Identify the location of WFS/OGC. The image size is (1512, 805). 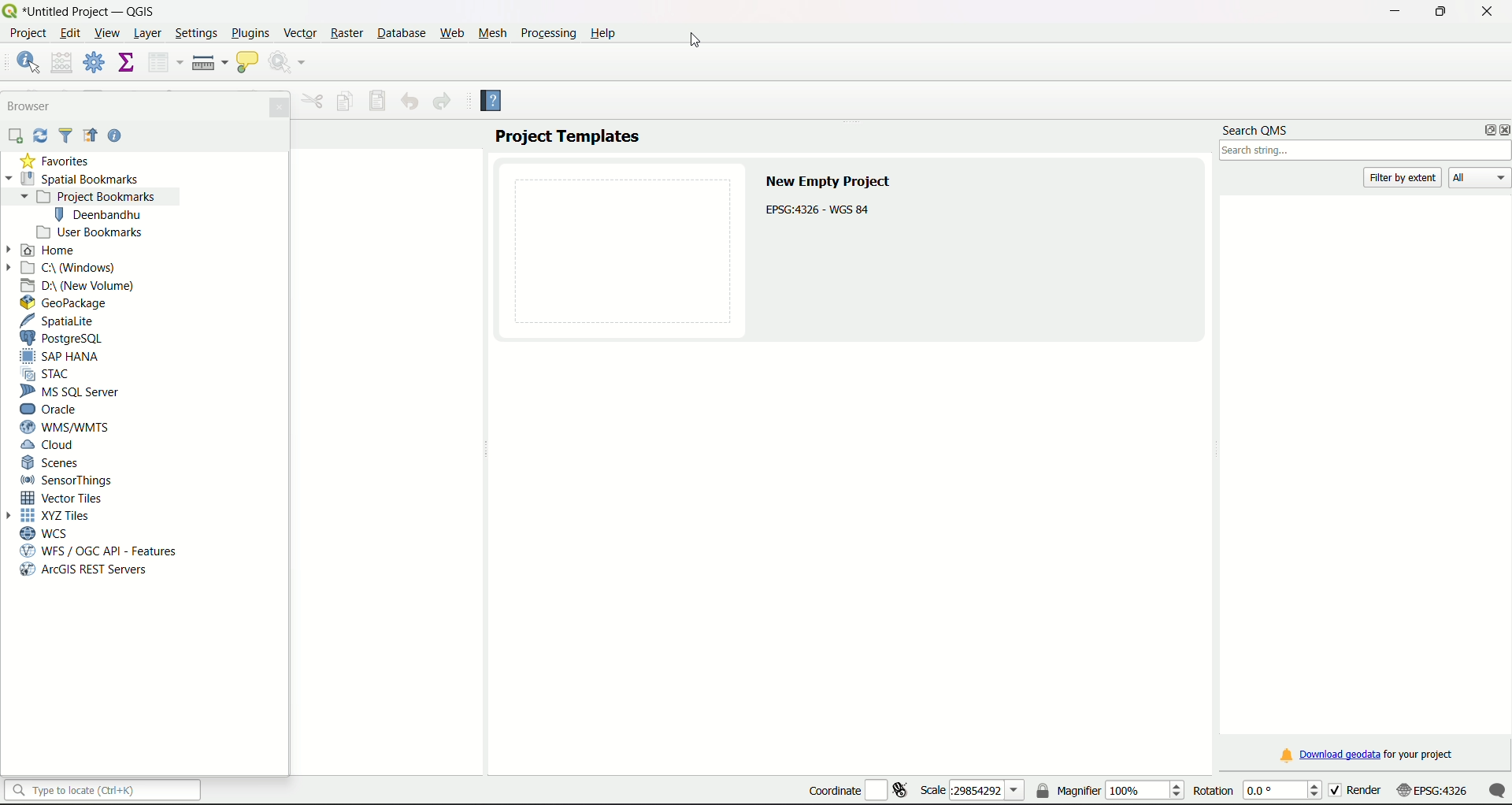
(100, 548).